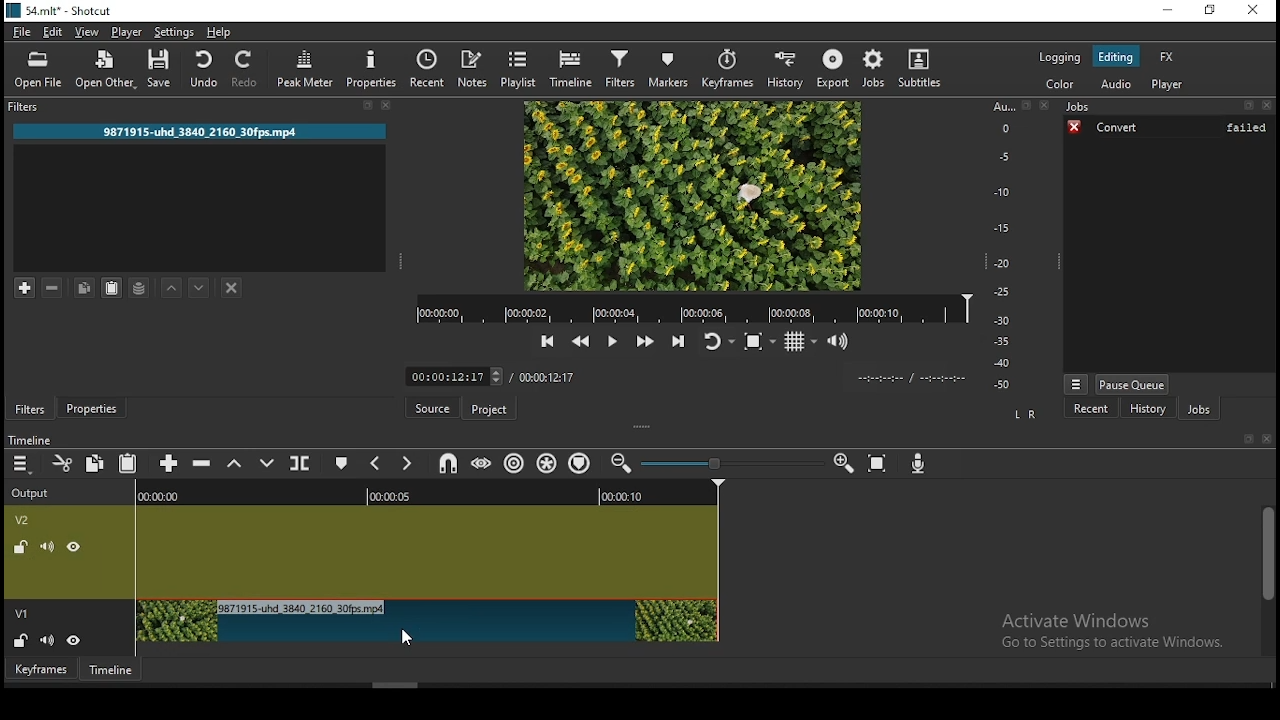 The width and height of the screenshot is (1280, 720). I want to click on cut, so click(63, 463).